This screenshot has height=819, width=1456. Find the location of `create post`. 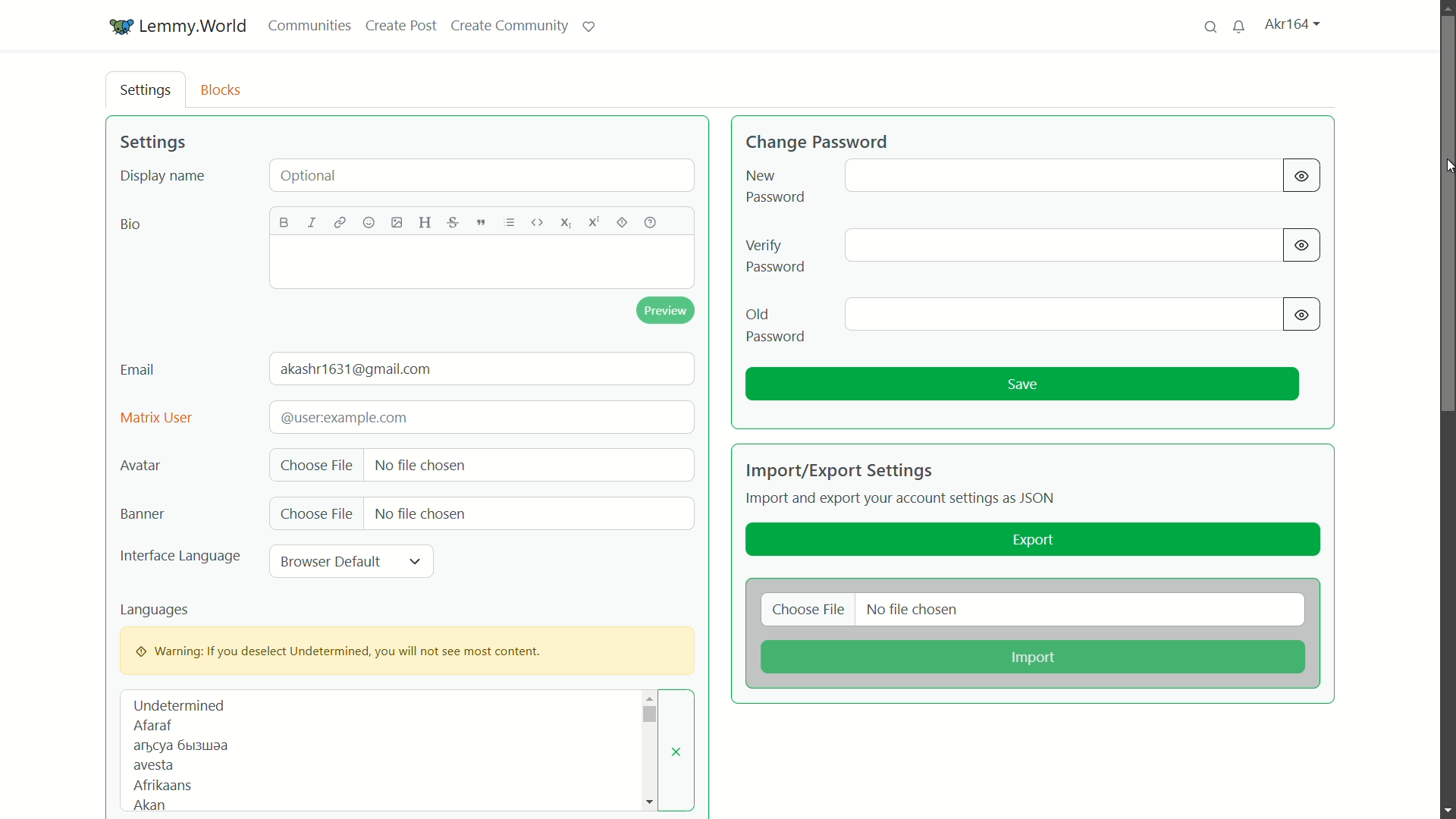

create post is located at coordinates (400, 25).